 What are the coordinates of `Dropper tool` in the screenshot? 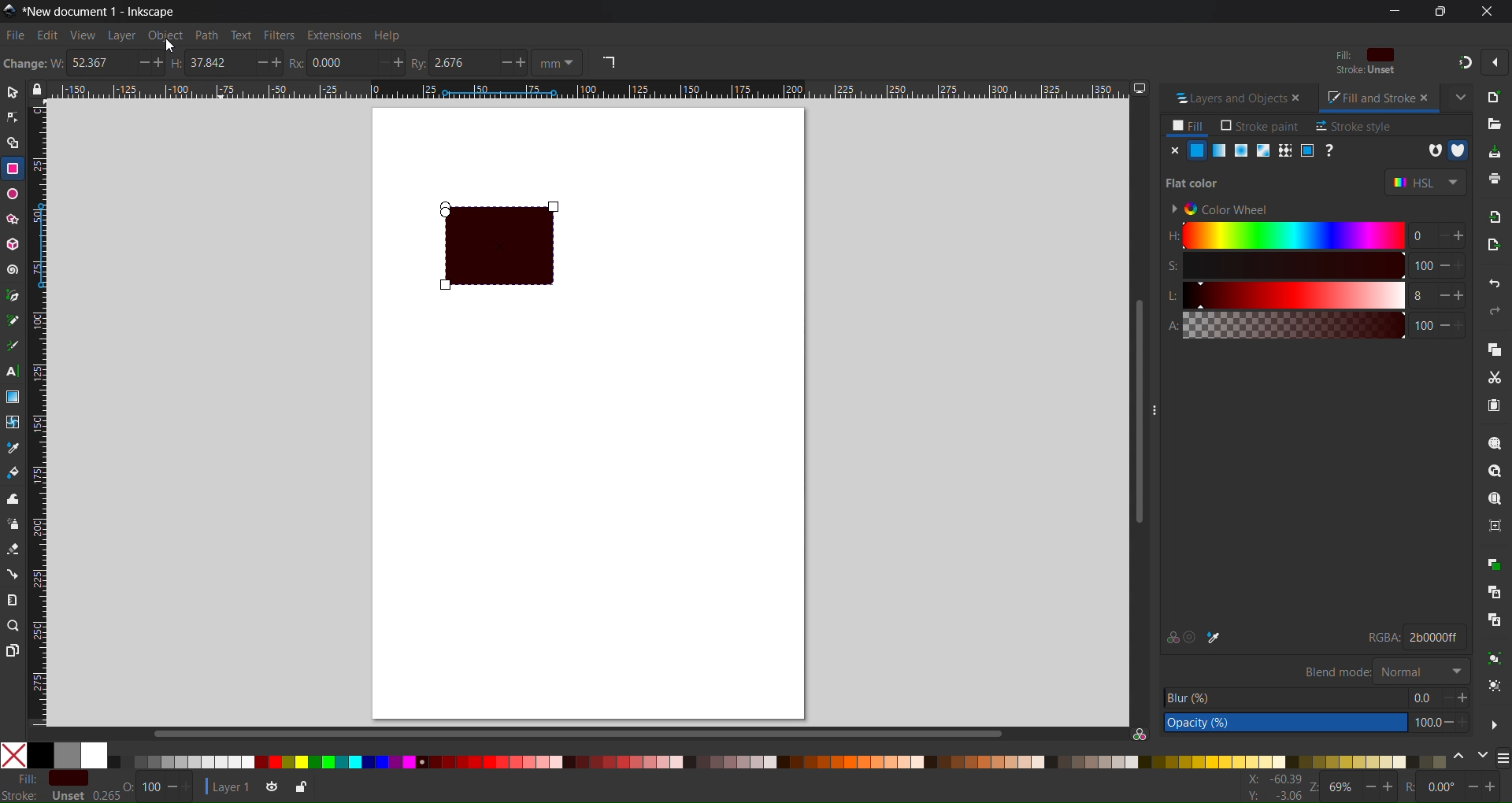 It's located at (13, 447).